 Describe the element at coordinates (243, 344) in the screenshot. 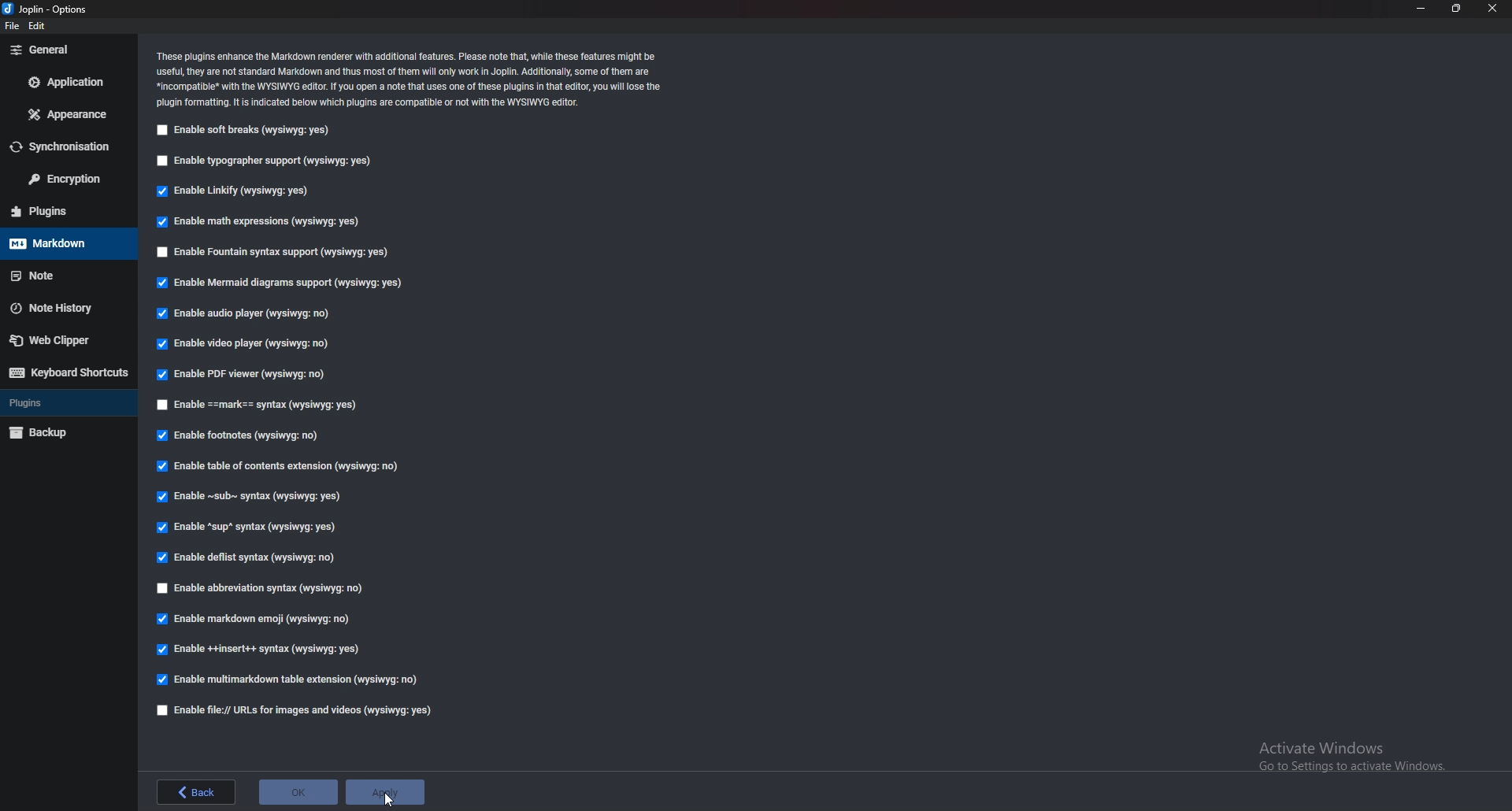

I see `enable video player` at that location.